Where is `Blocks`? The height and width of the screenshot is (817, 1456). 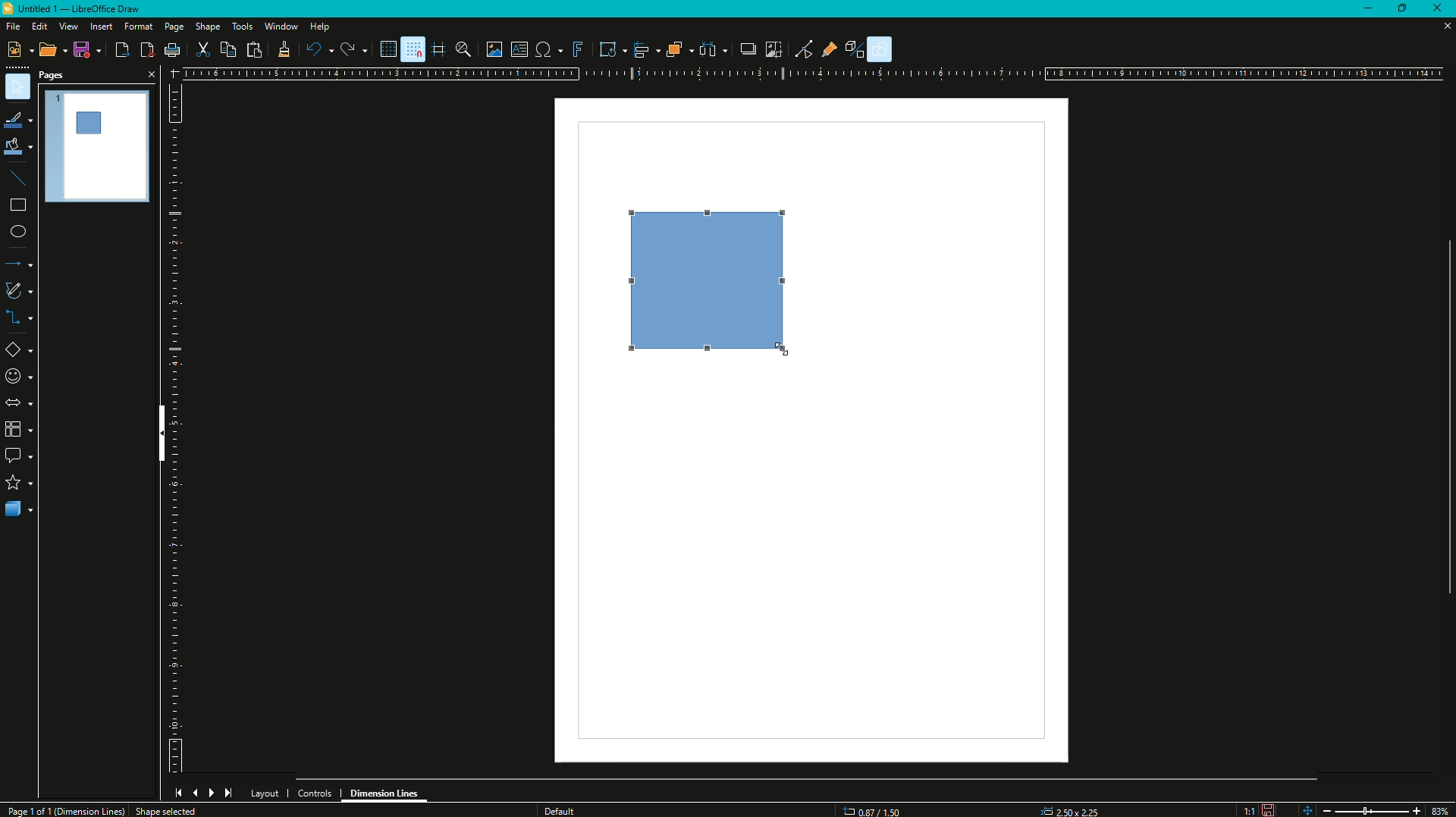 Blocks is located at coordinates (17, 429).